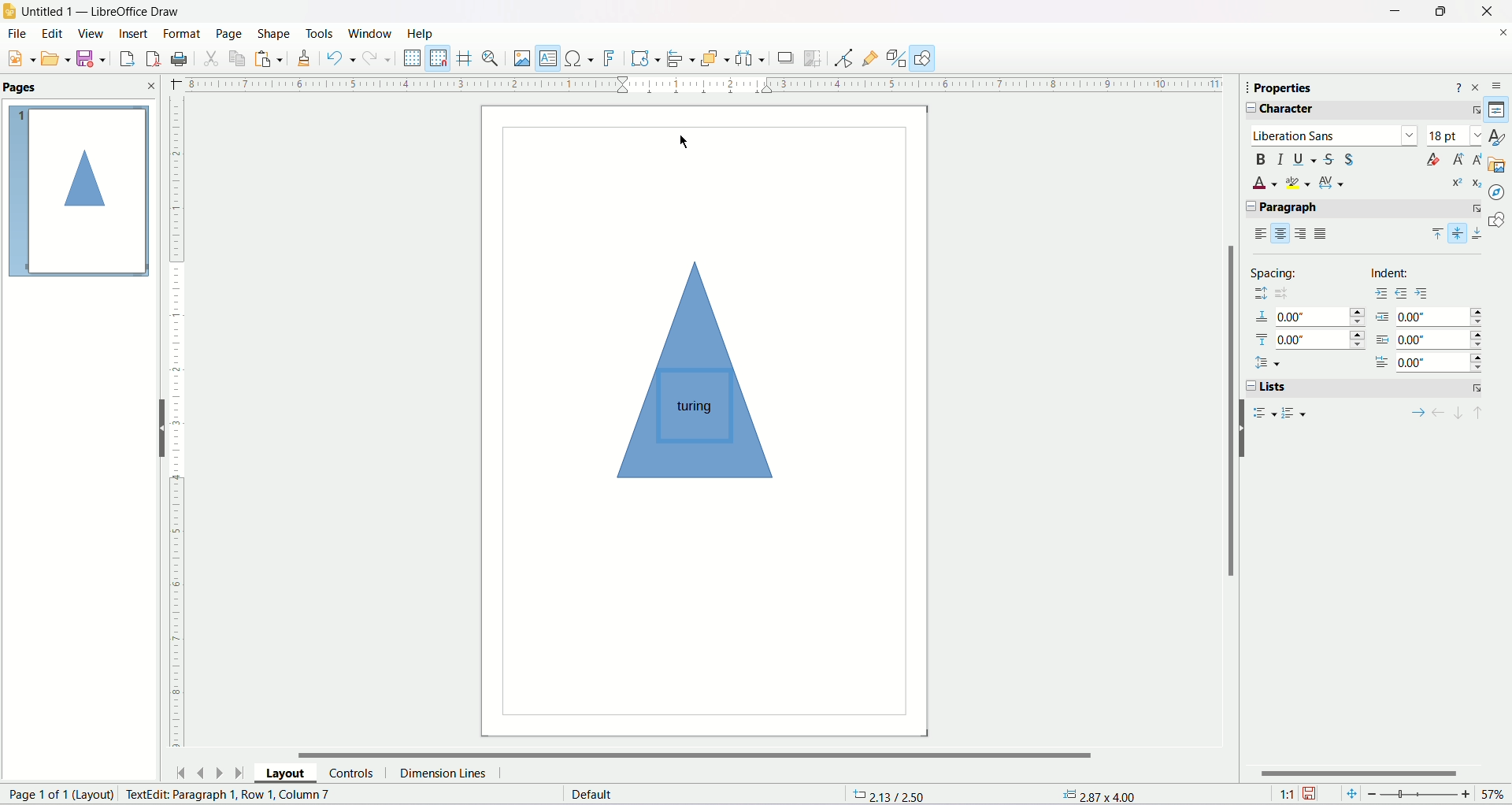 The image size is (1512, 805). I want to click on subscript, so click(1477, 184).